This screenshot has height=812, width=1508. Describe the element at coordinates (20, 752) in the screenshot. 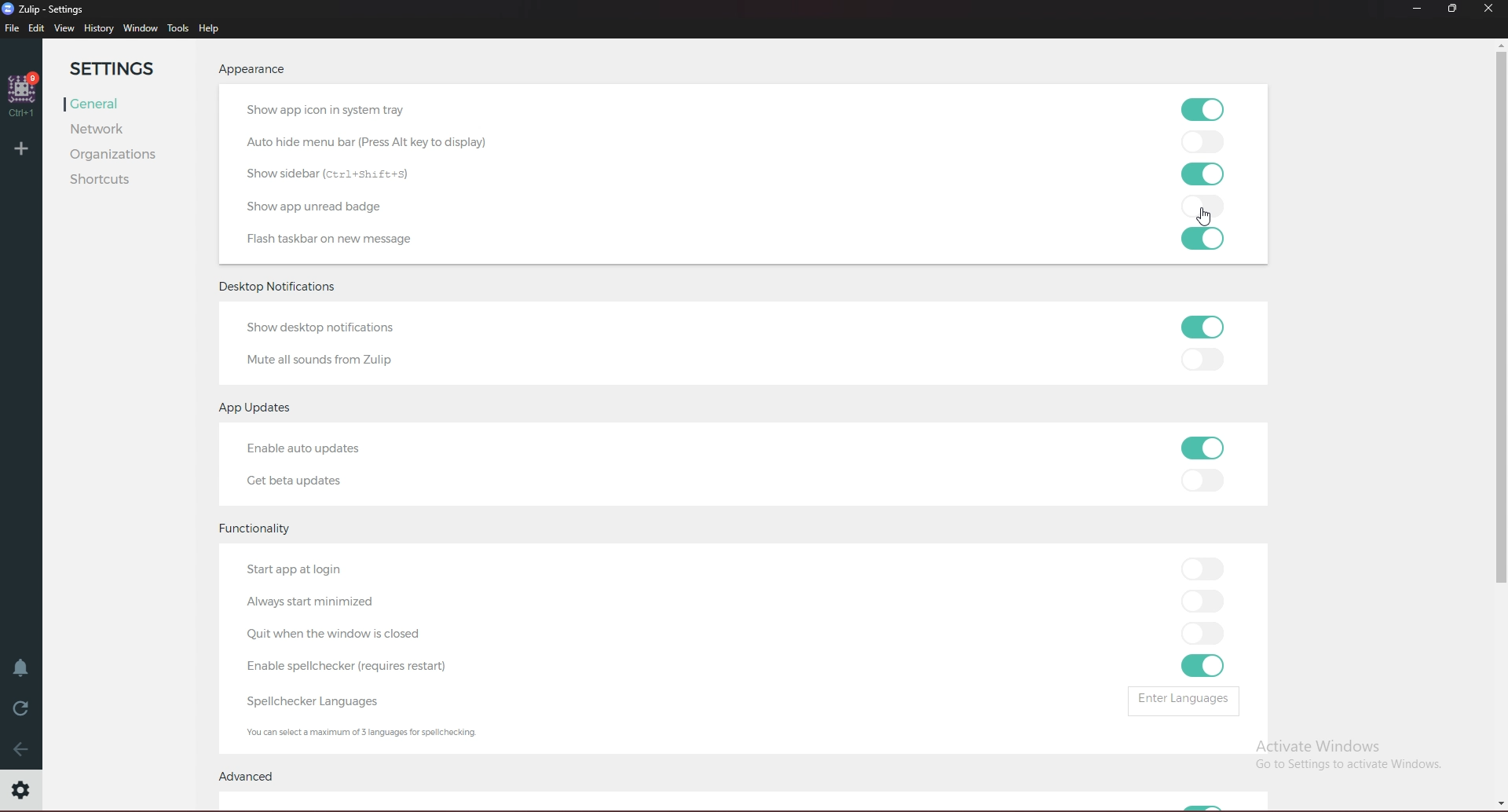

I see `back` at that location.